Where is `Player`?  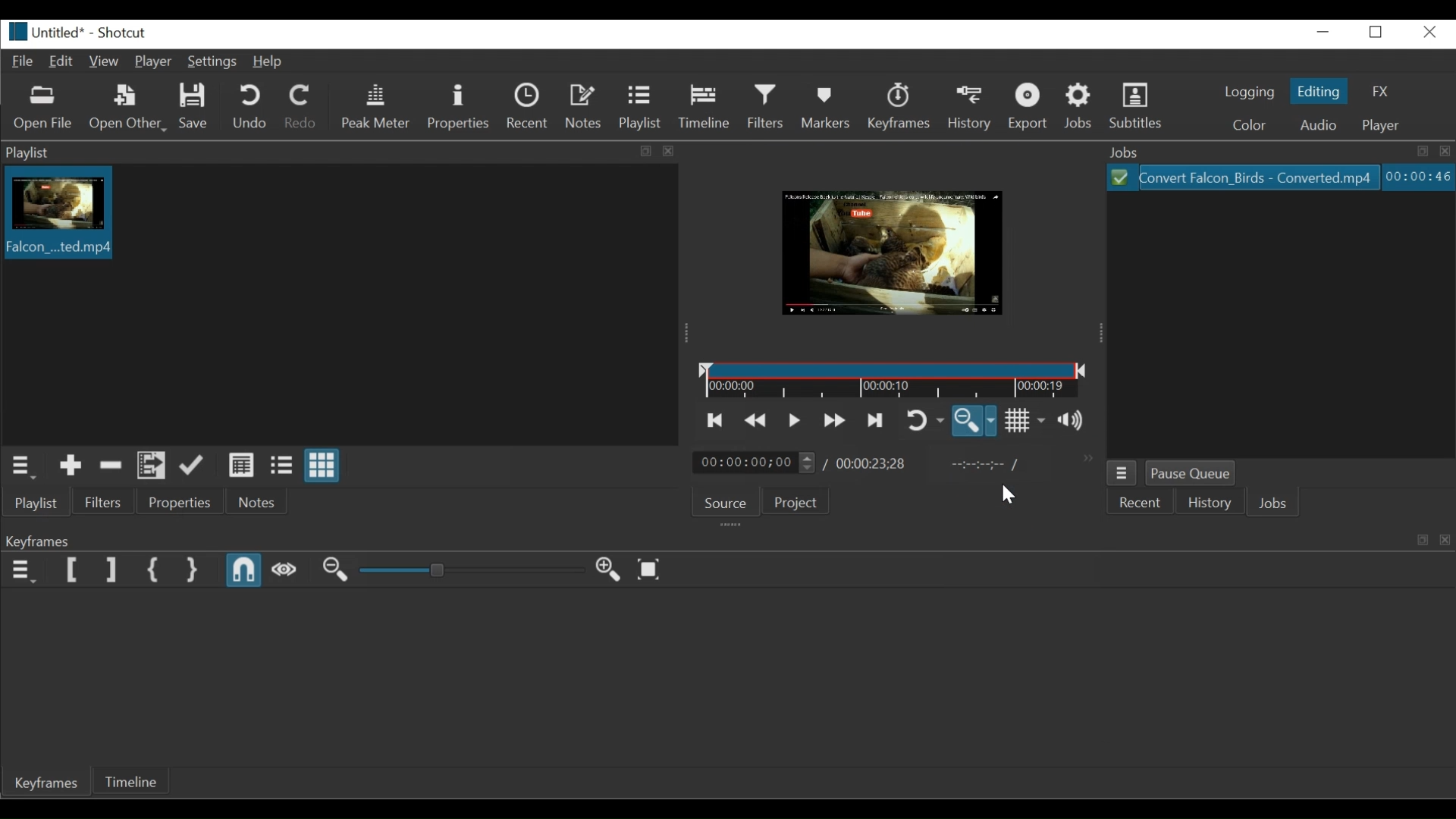 Player is located at coordinates (152, 61).